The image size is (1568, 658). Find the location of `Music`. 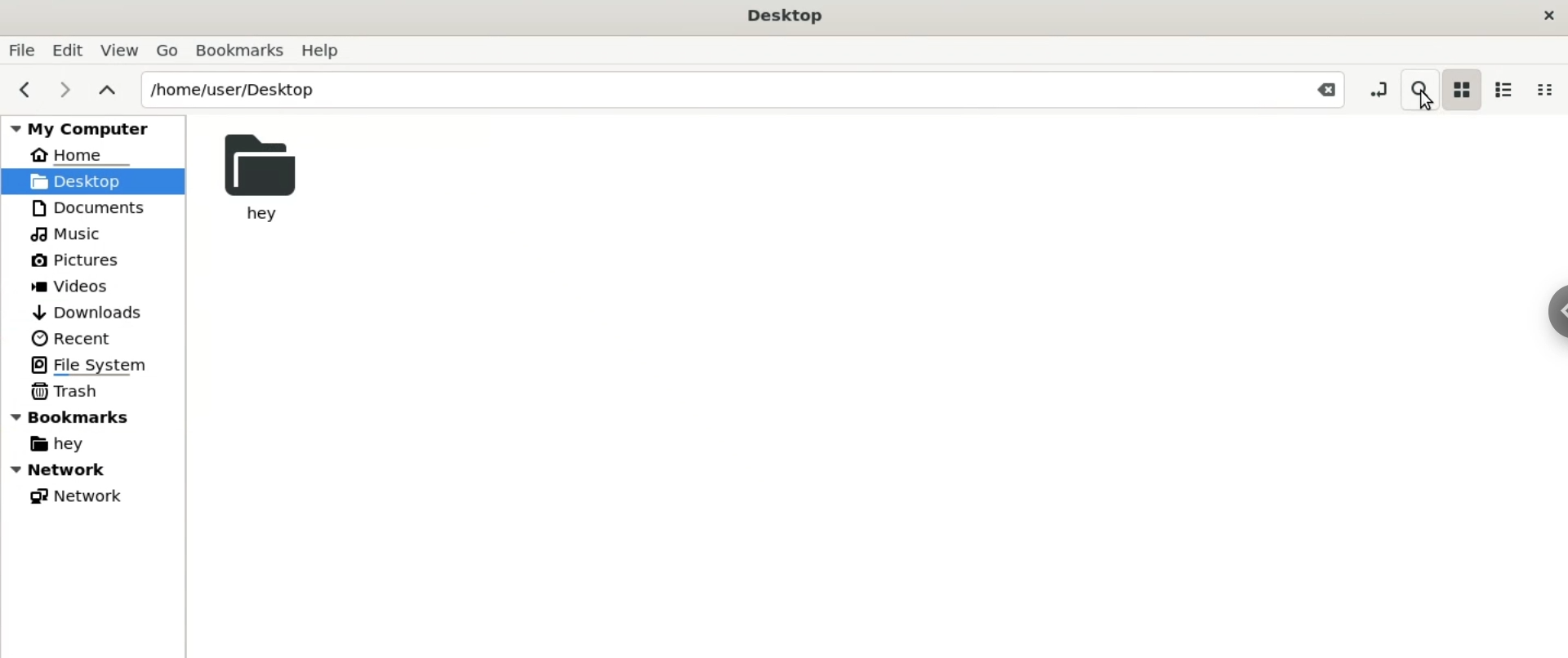

Music is located at coordinates (69, 233).